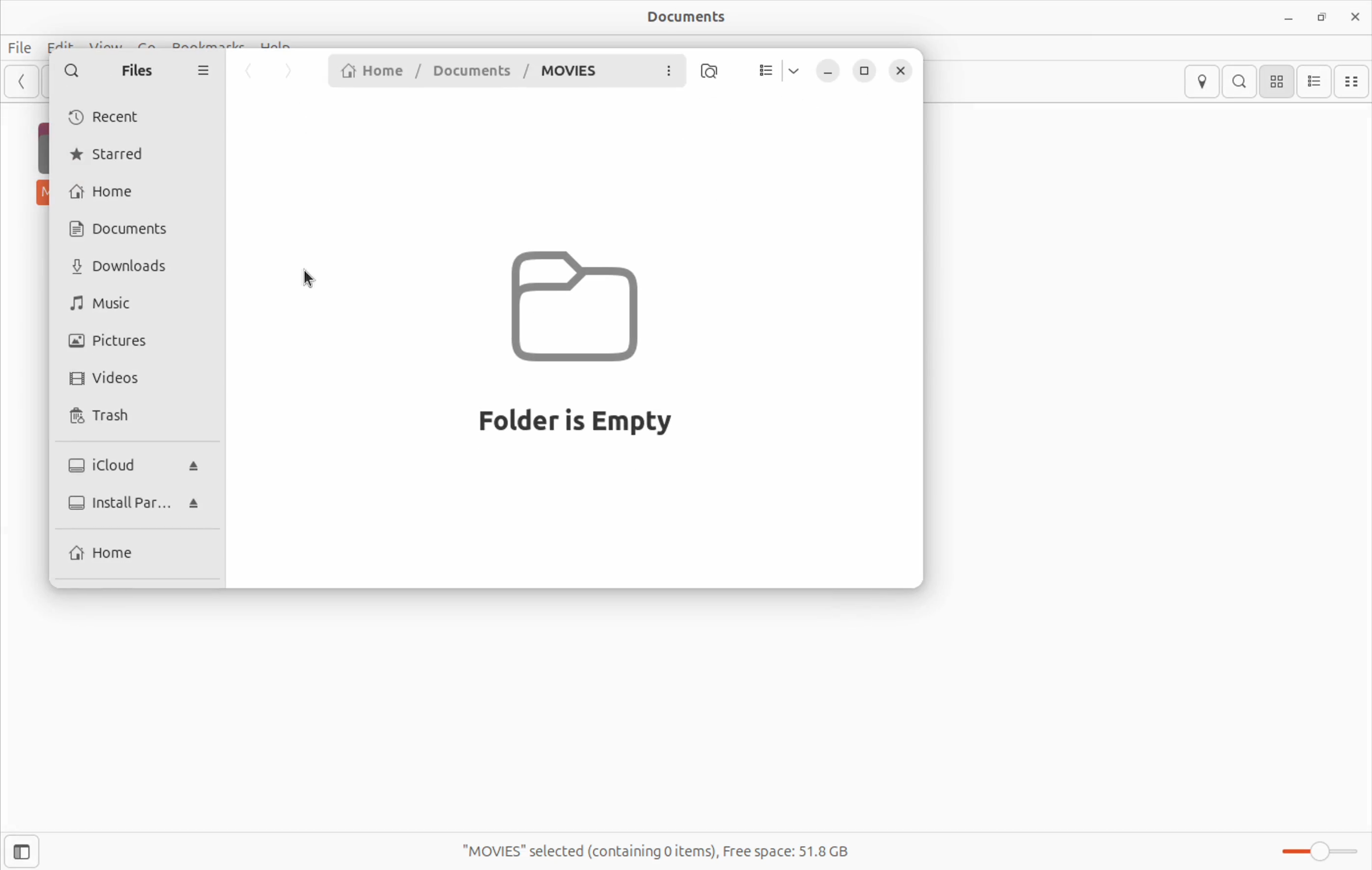 The width and height of the screenshot is (1372, 870). What do you see at coordinates (580, 344) in the screenshot?
I see `Folder is Empty` at bounding box center [580, 344].